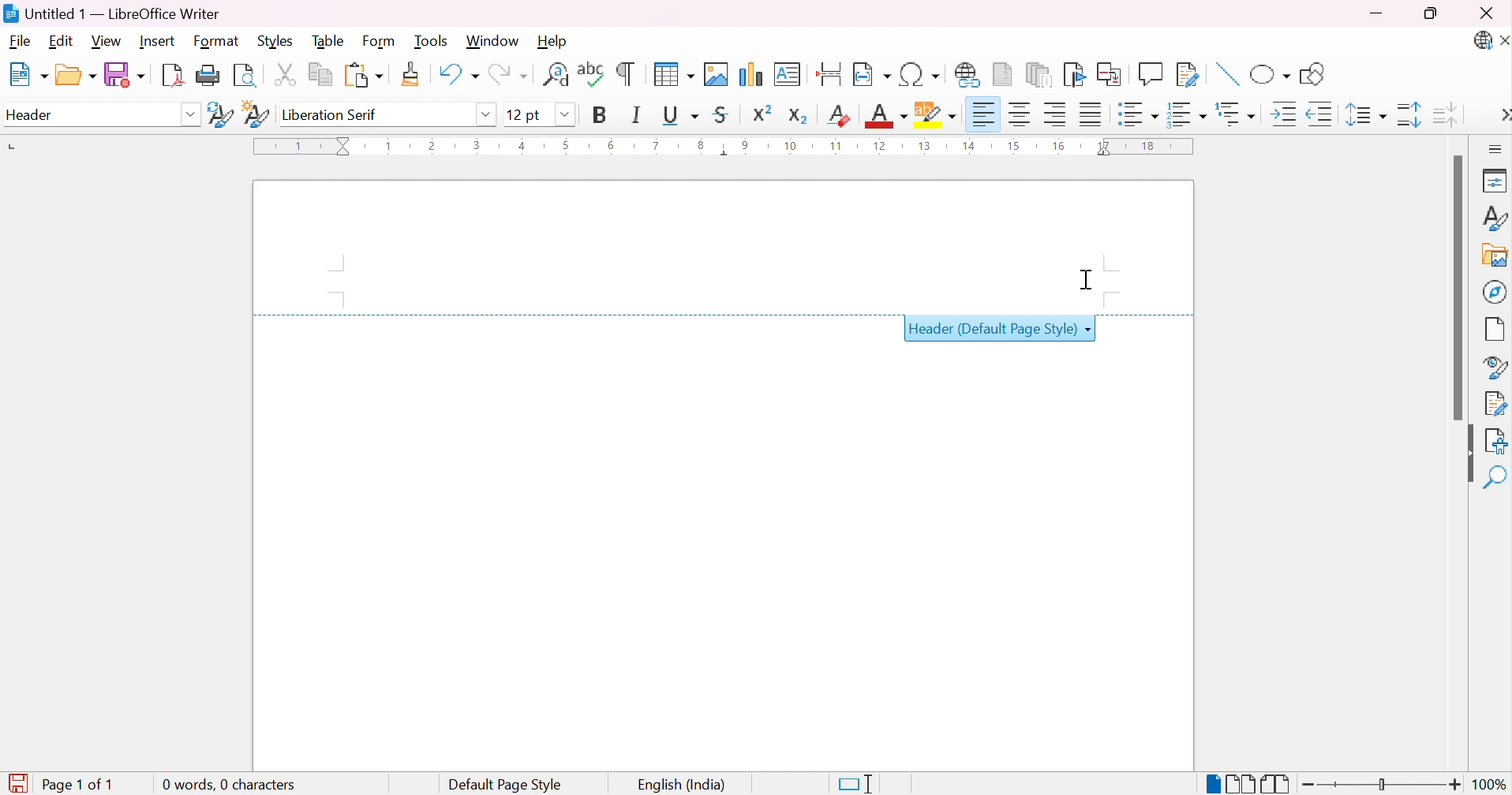 This screenshot has width=1512, height=795. Describe the element at coordinates (1072, 76) in the screenshot. I see `Insert bookmark` at that location.